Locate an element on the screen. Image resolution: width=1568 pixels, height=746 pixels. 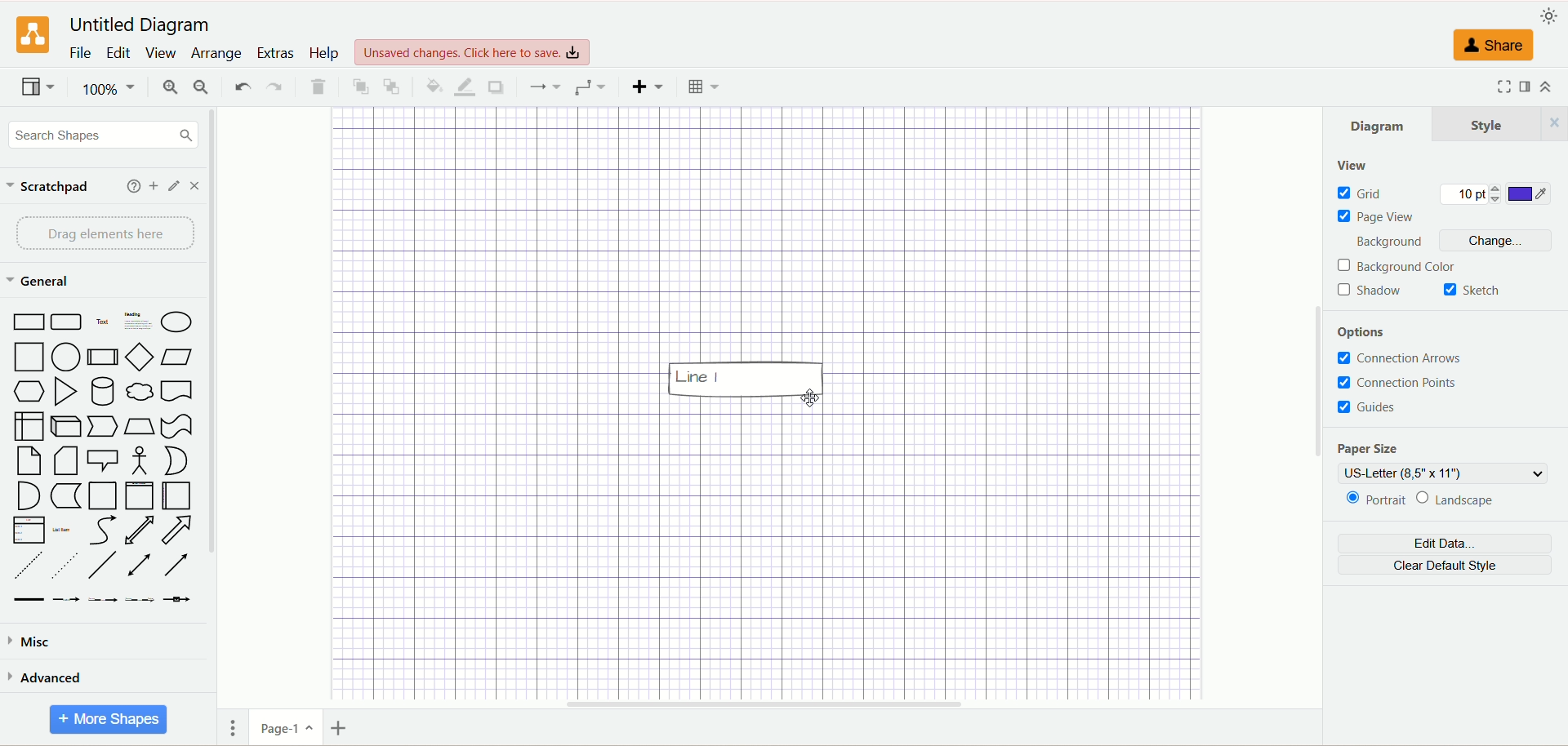
fullscreen is located at coordinates (1499, 87).